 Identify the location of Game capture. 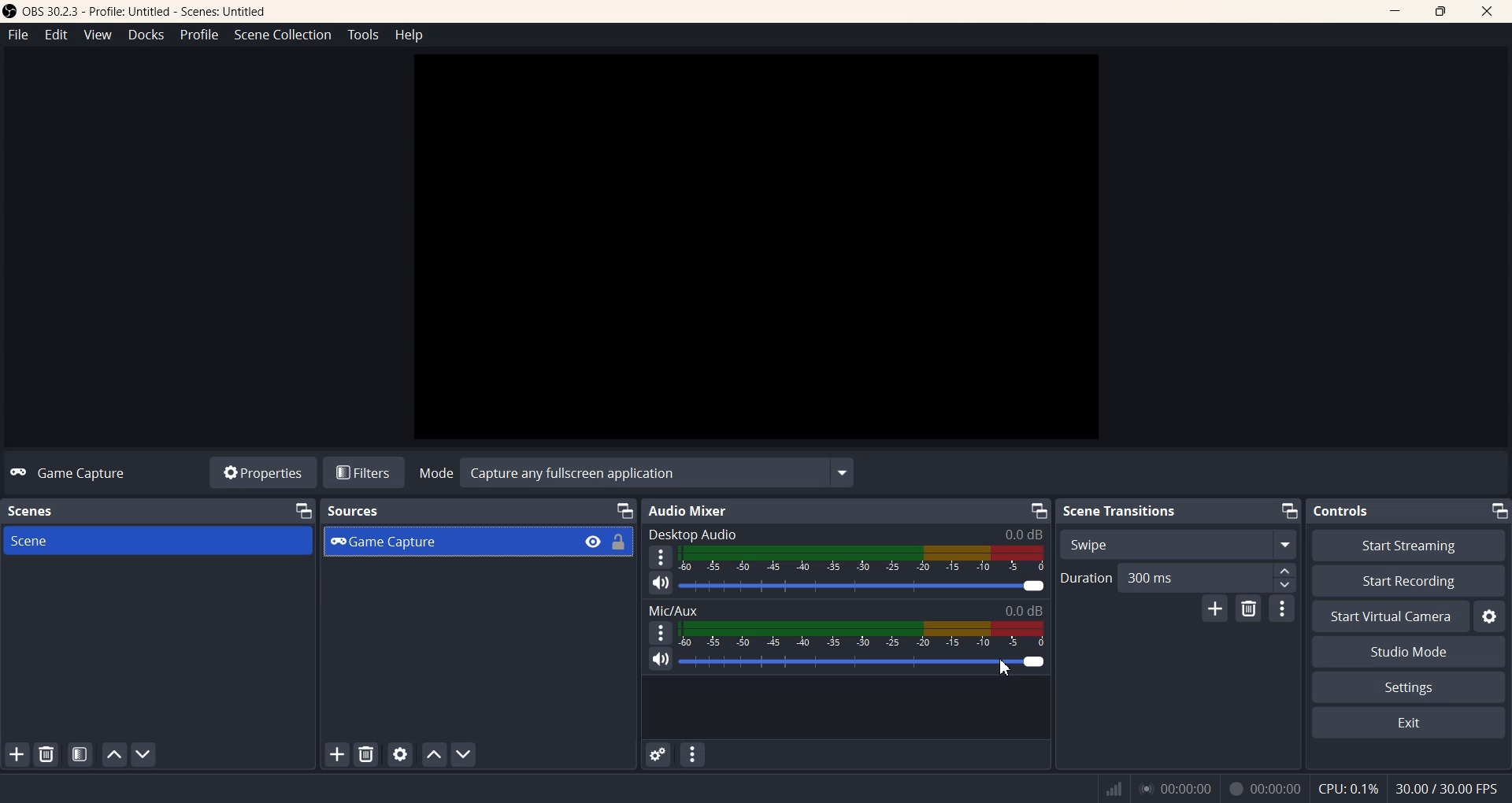
(480, 541).